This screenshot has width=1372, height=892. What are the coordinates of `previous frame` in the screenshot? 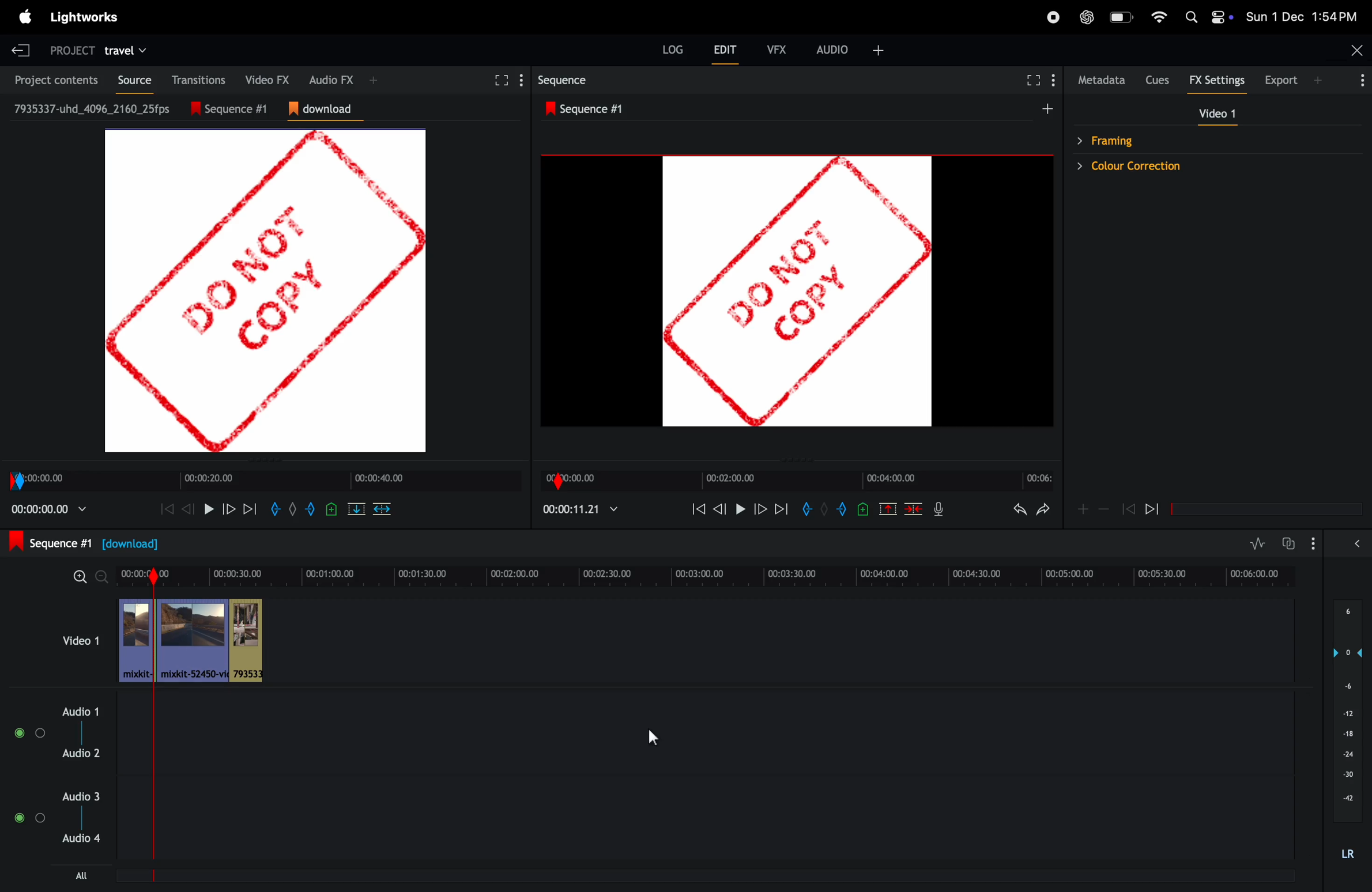 It's located at (720, 508).